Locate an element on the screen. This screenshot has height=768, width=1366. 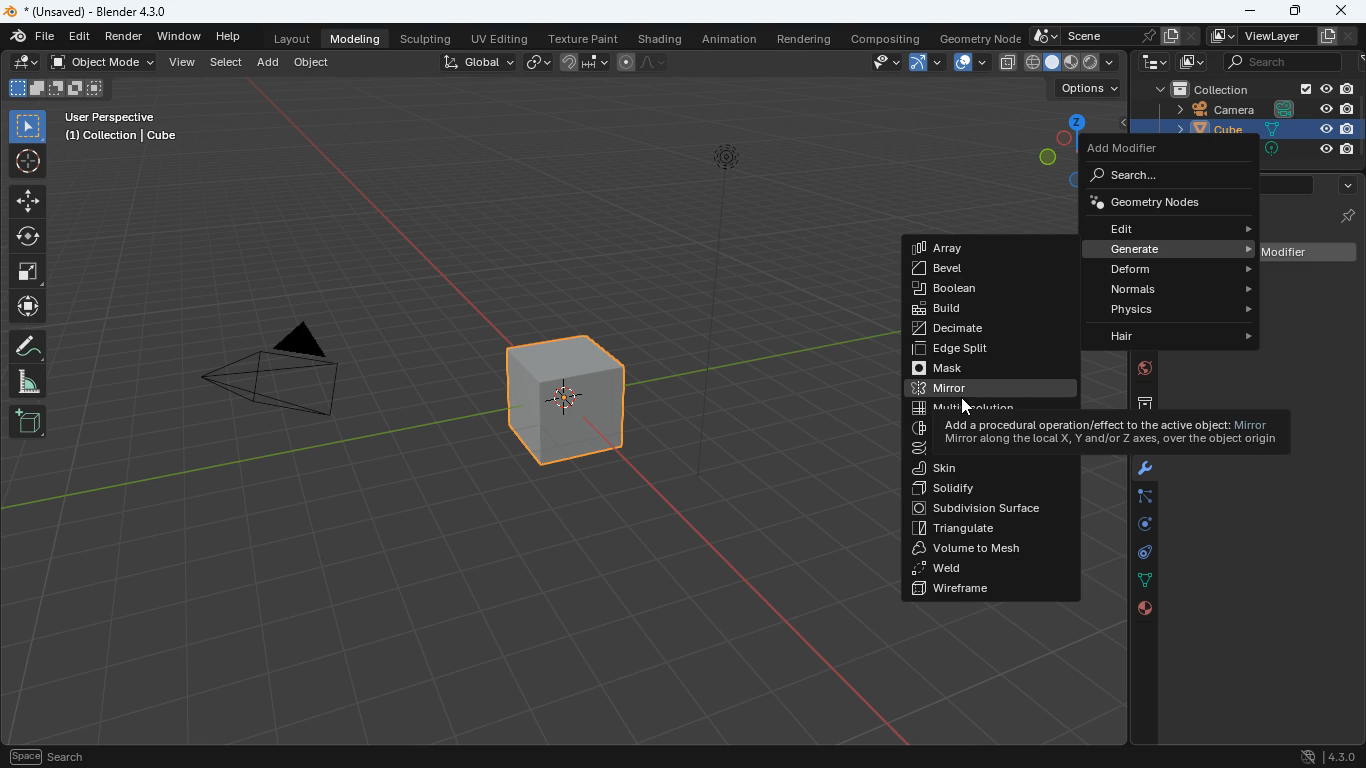
rendering is located at coordinates (804, 41).